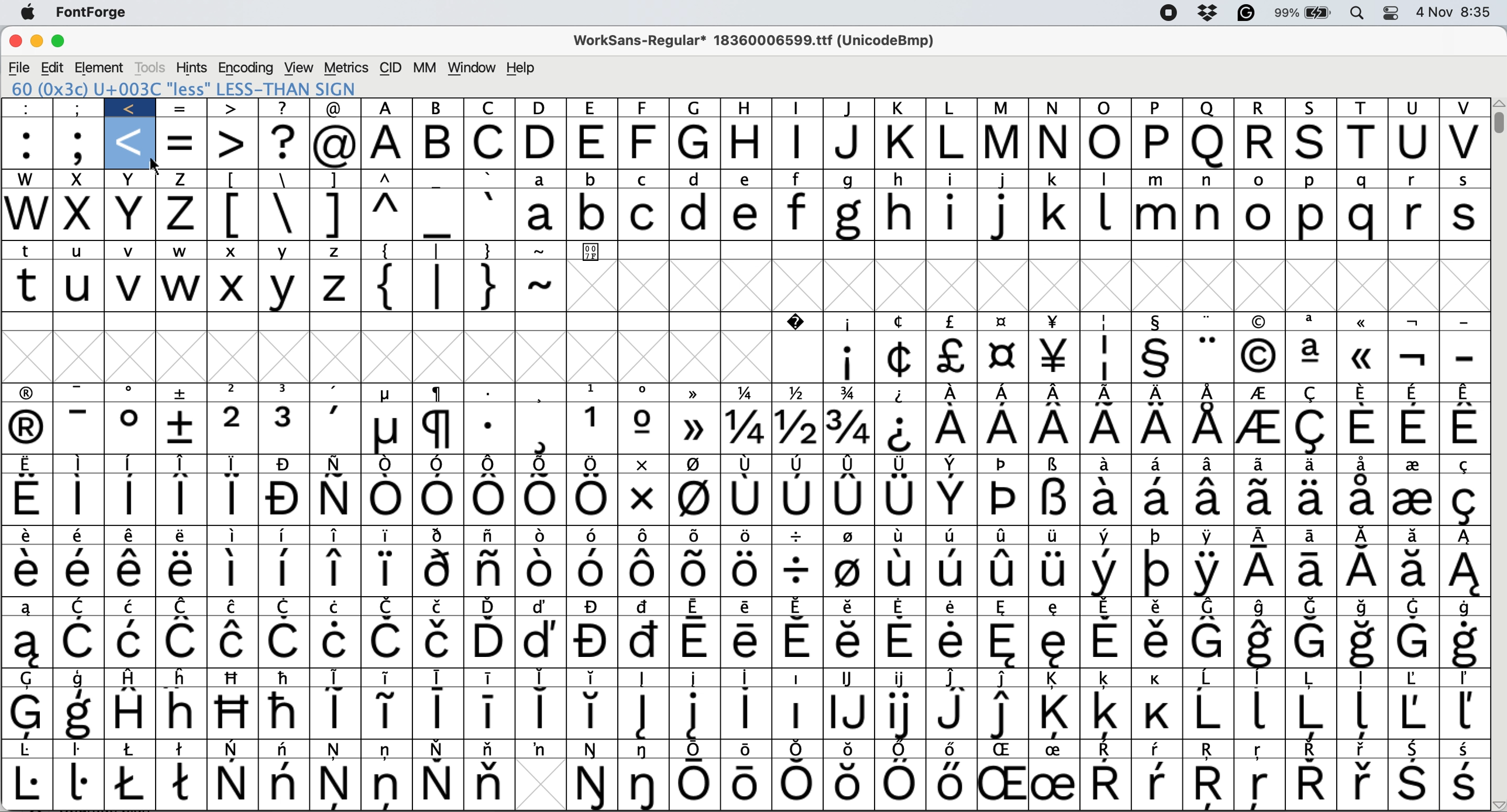 Image resolution: width=1507 pixels, height=812 pixels. What do you see at coordinates (27, 215) in the screenshot?
I see `w` at bounding box center [27, 215].